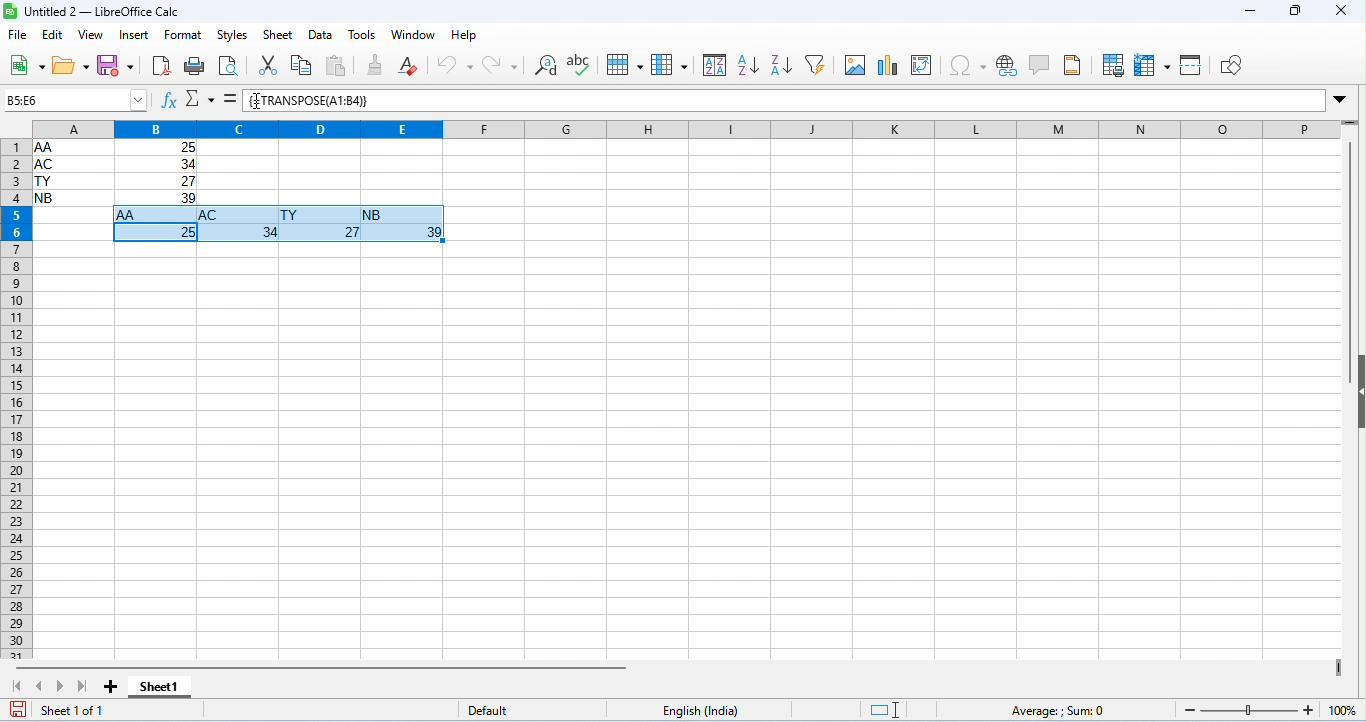  Describe the element at coordinates (672, 128) in the screenshot. I see `column headings` at that location.